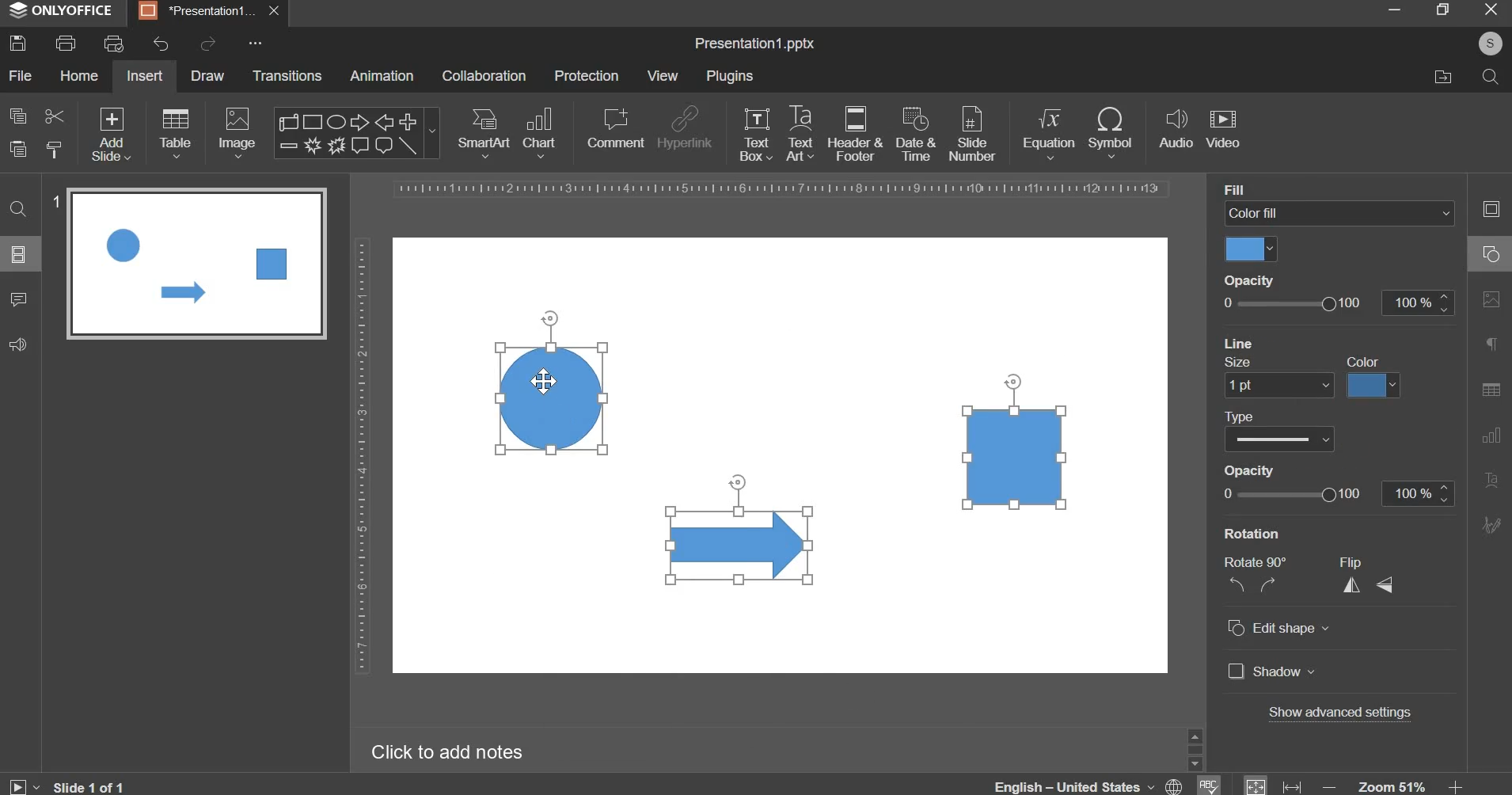 The height and width of the screenshot is (795, 1512). Describe the element at coordinates (1487, 435) in the screenshot. I see `chart settings` at that location.